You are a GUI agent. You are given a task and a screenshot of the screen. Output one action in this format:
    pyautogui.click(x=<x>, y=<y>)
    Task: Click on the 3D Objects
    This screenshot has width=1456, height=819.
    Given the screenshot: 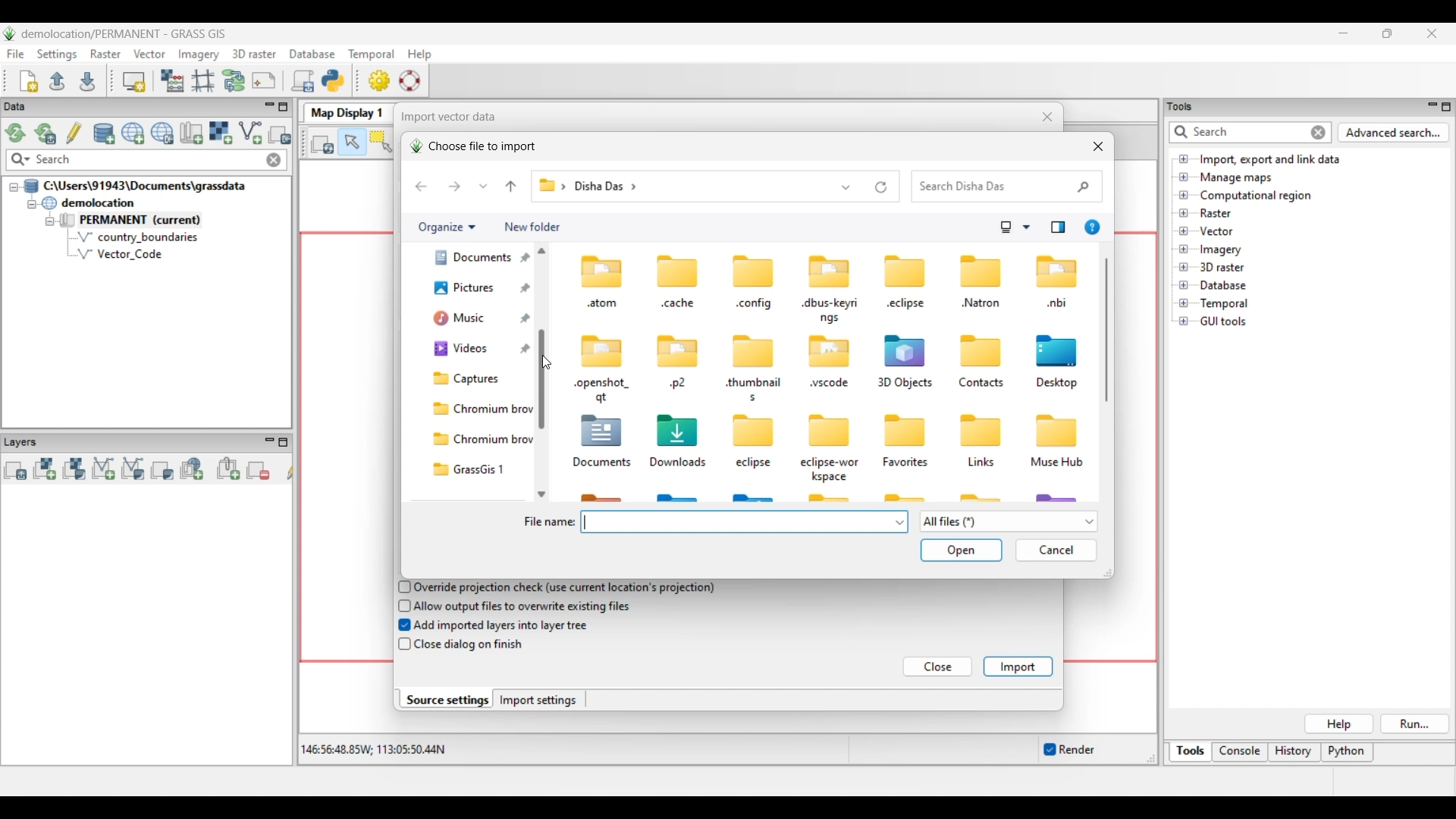 What is the action you would take?
    pyautogui.click(x=904, y=384)
    